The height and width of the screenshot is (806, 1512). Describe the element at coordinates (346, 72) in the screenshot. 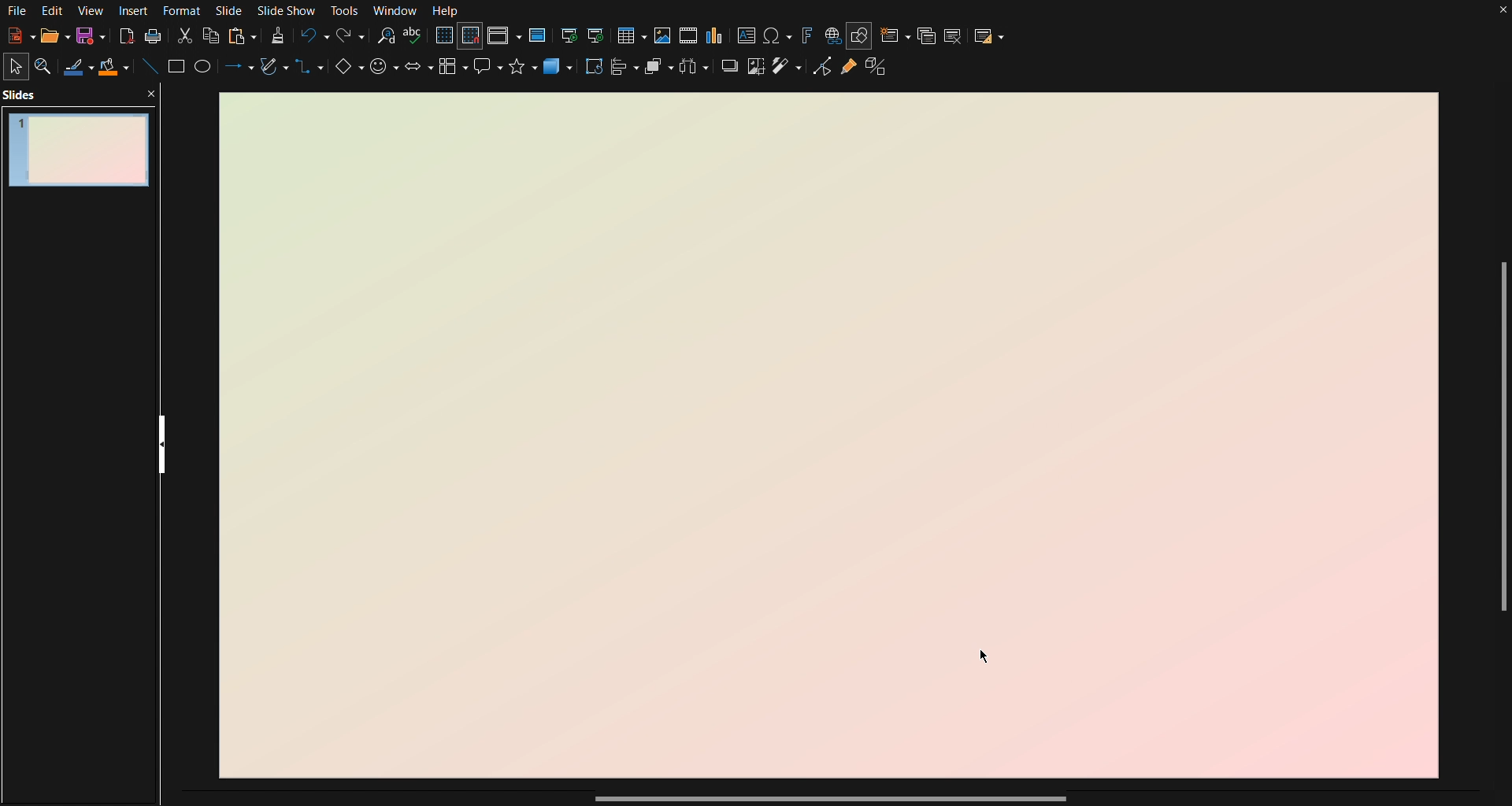

I see `Basic Shapes` at that location.